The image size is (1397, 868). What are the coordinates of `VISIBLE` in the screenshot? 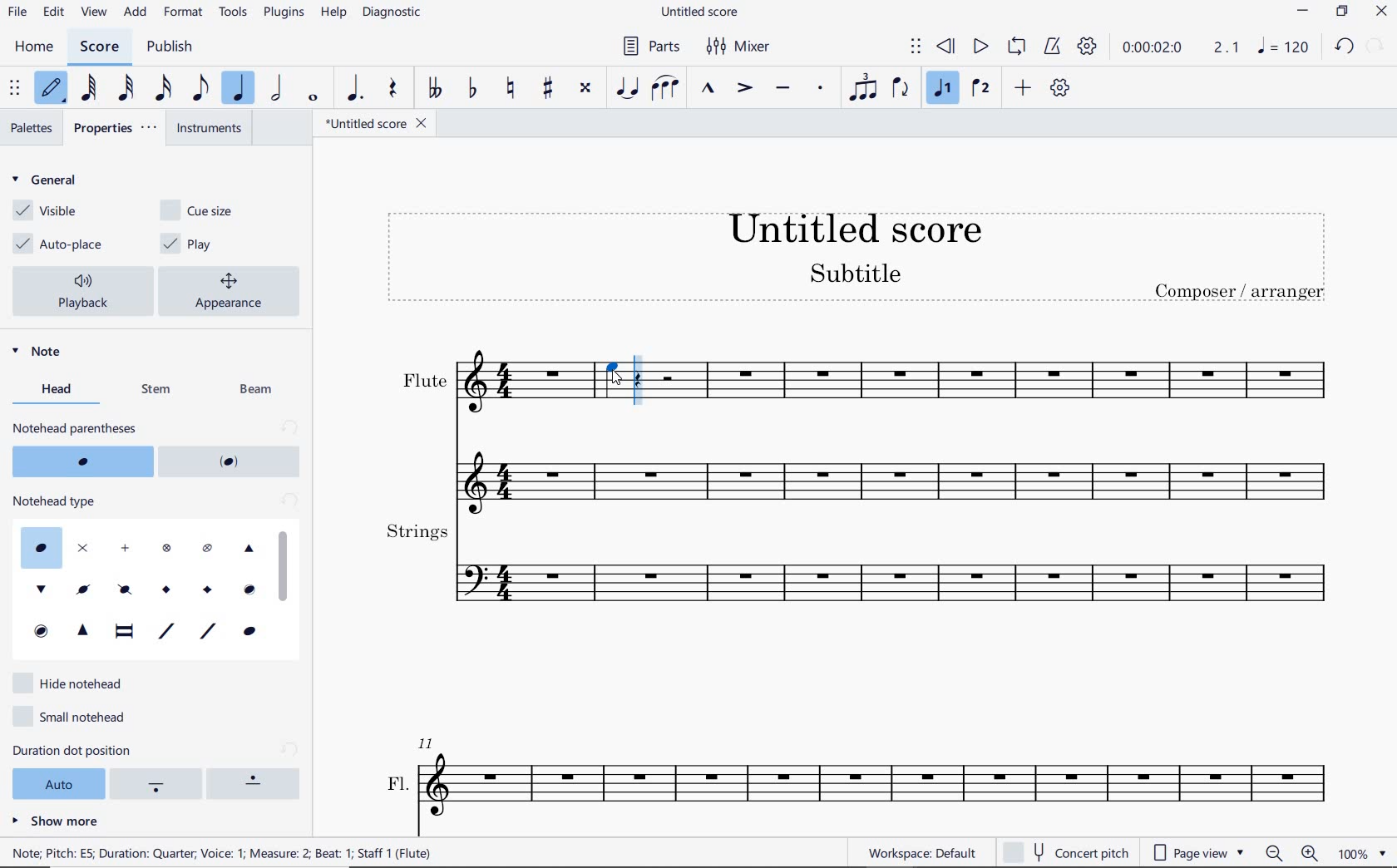 It's located at (46, 211).